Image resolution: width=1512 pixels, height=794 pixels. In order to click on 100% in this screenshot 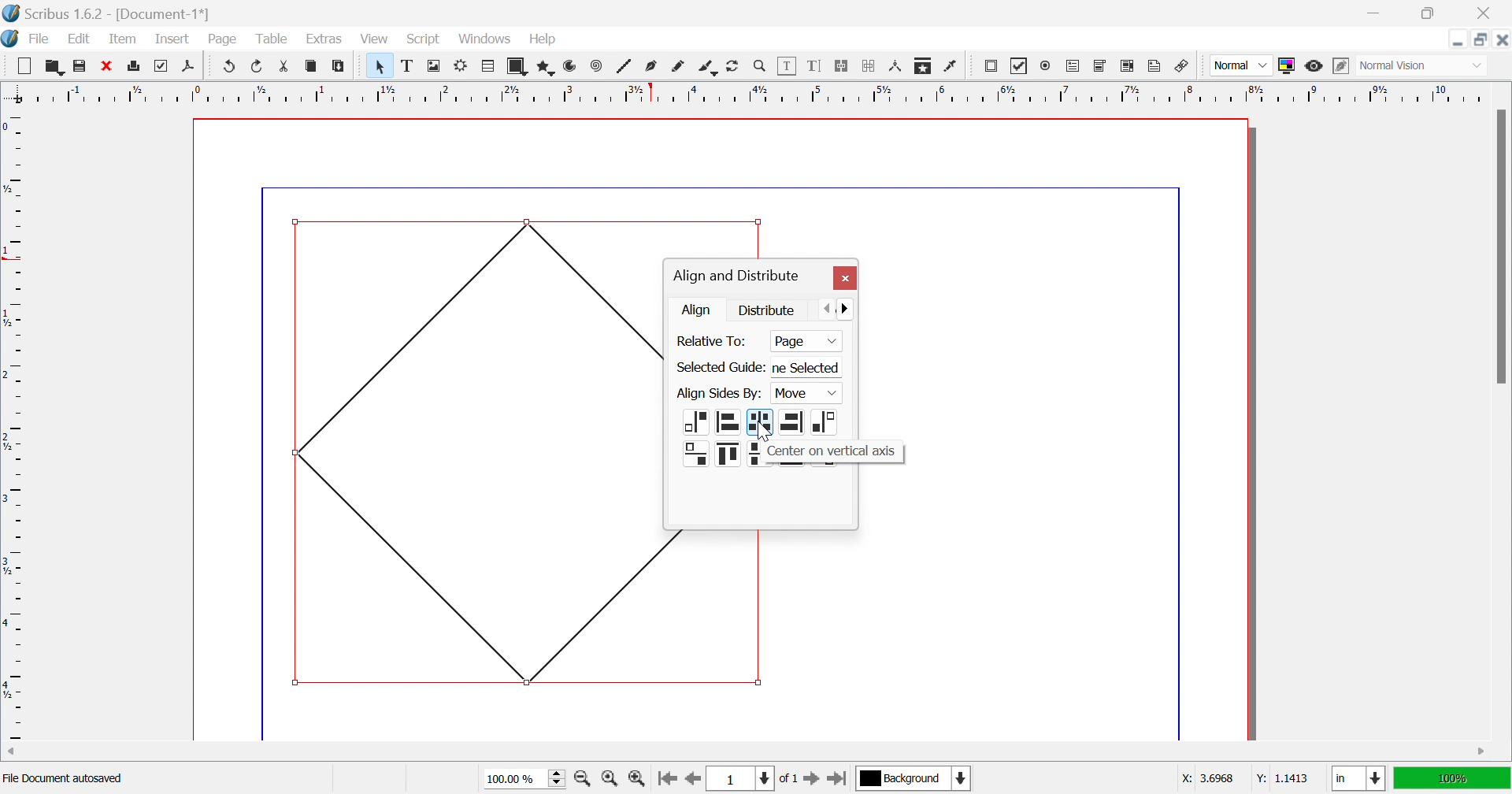, I will do `click(1450, 777)`.